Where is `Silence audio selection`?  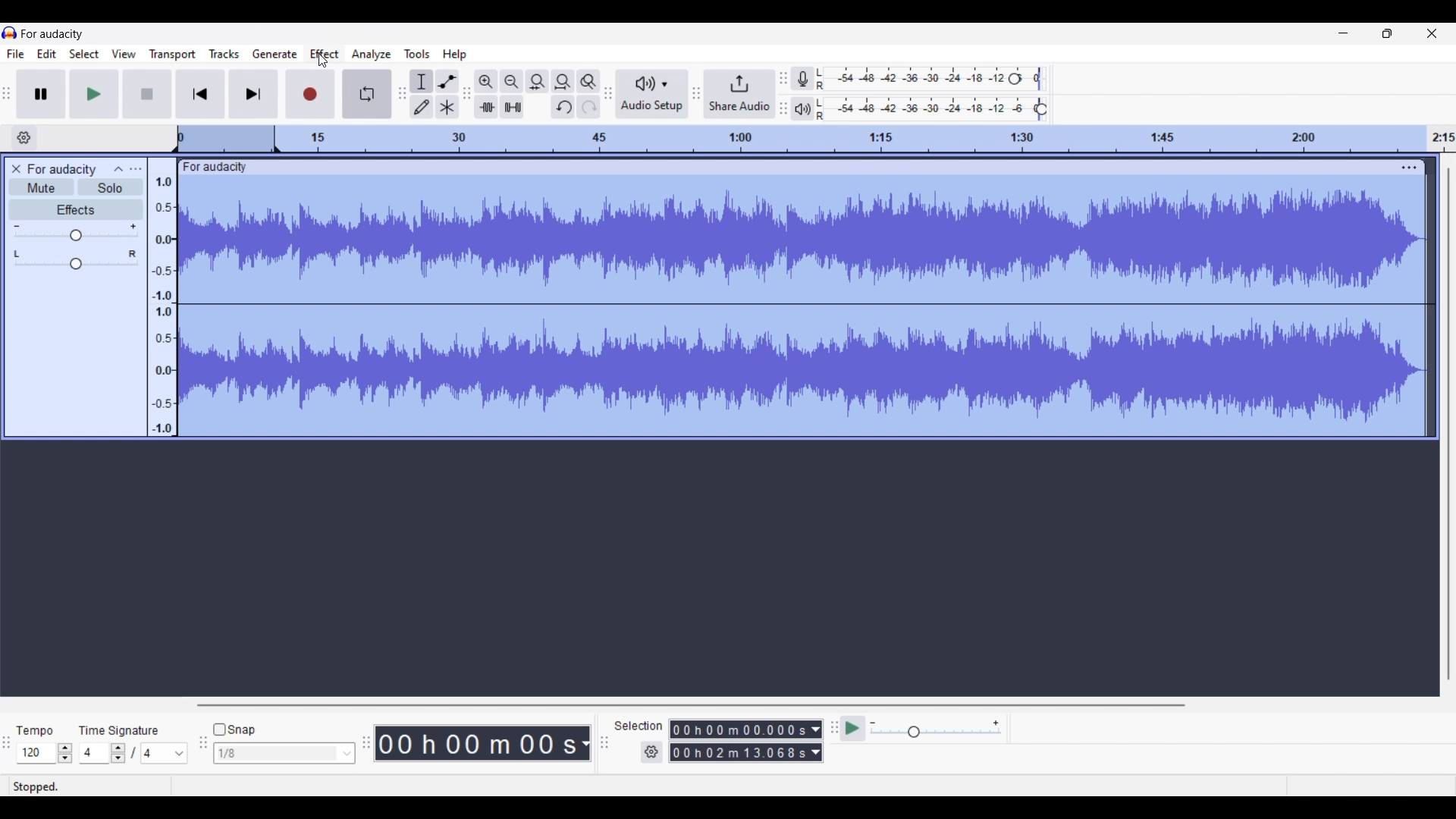 Silence audio selection is located at coordinates (512, 107).